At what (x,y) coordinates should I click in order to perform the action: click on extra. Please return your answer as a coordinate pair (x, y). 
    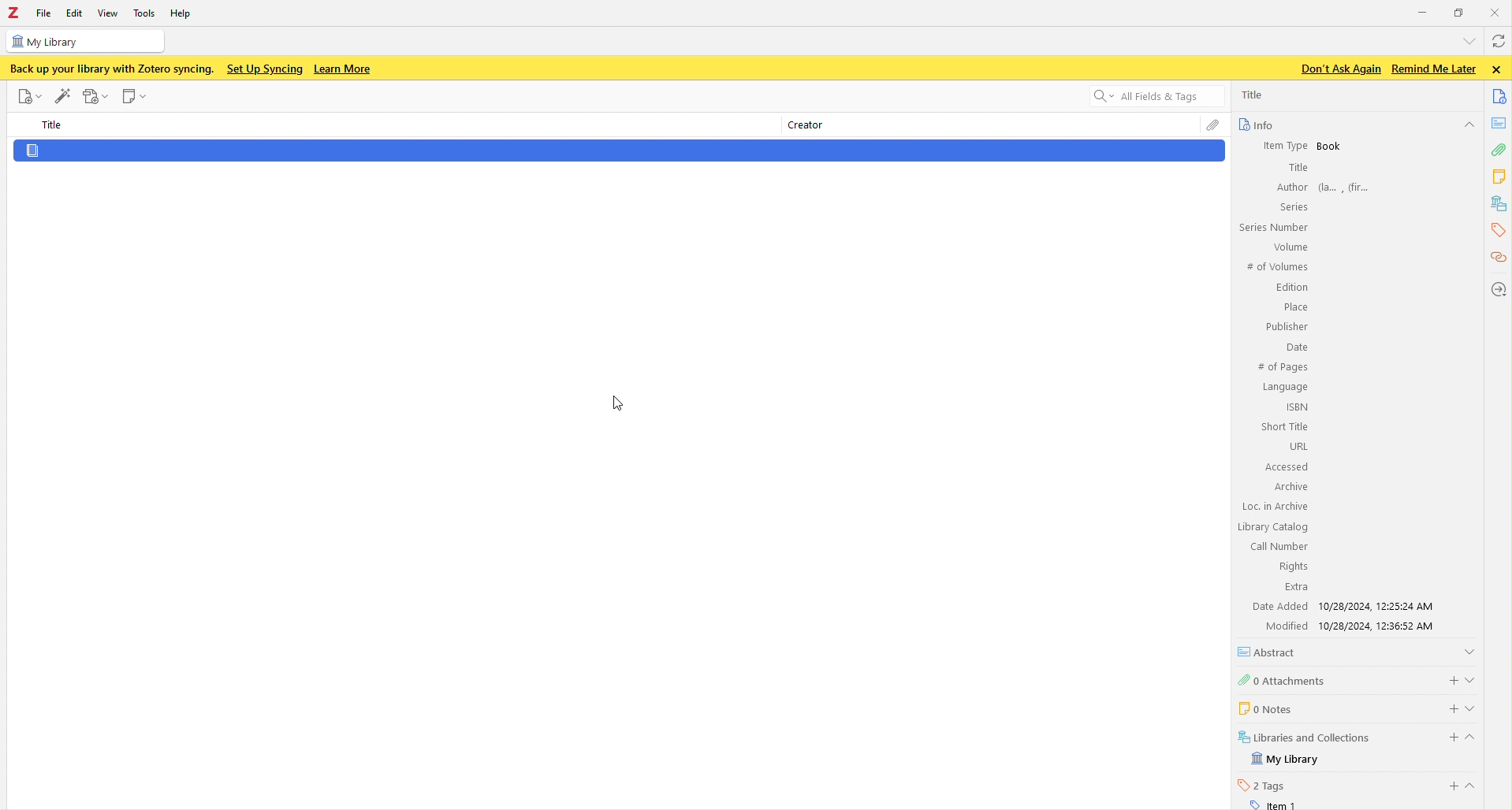
    Looking at the image, I should click on (1296, 588).